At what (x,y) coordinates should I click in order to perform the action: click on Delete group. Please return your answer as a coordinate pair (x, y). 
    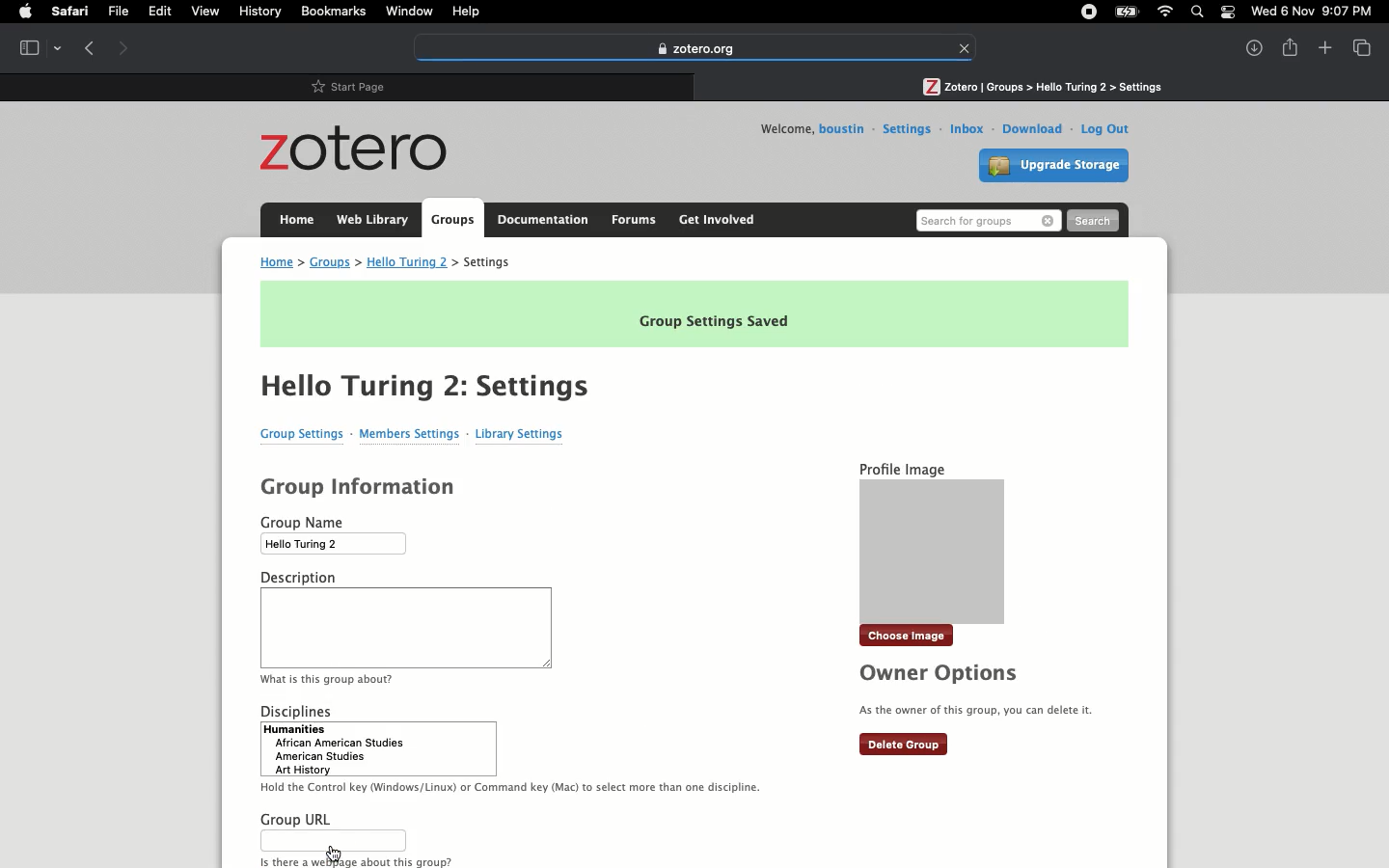
    Looking at the image, I should click on (904, 746).